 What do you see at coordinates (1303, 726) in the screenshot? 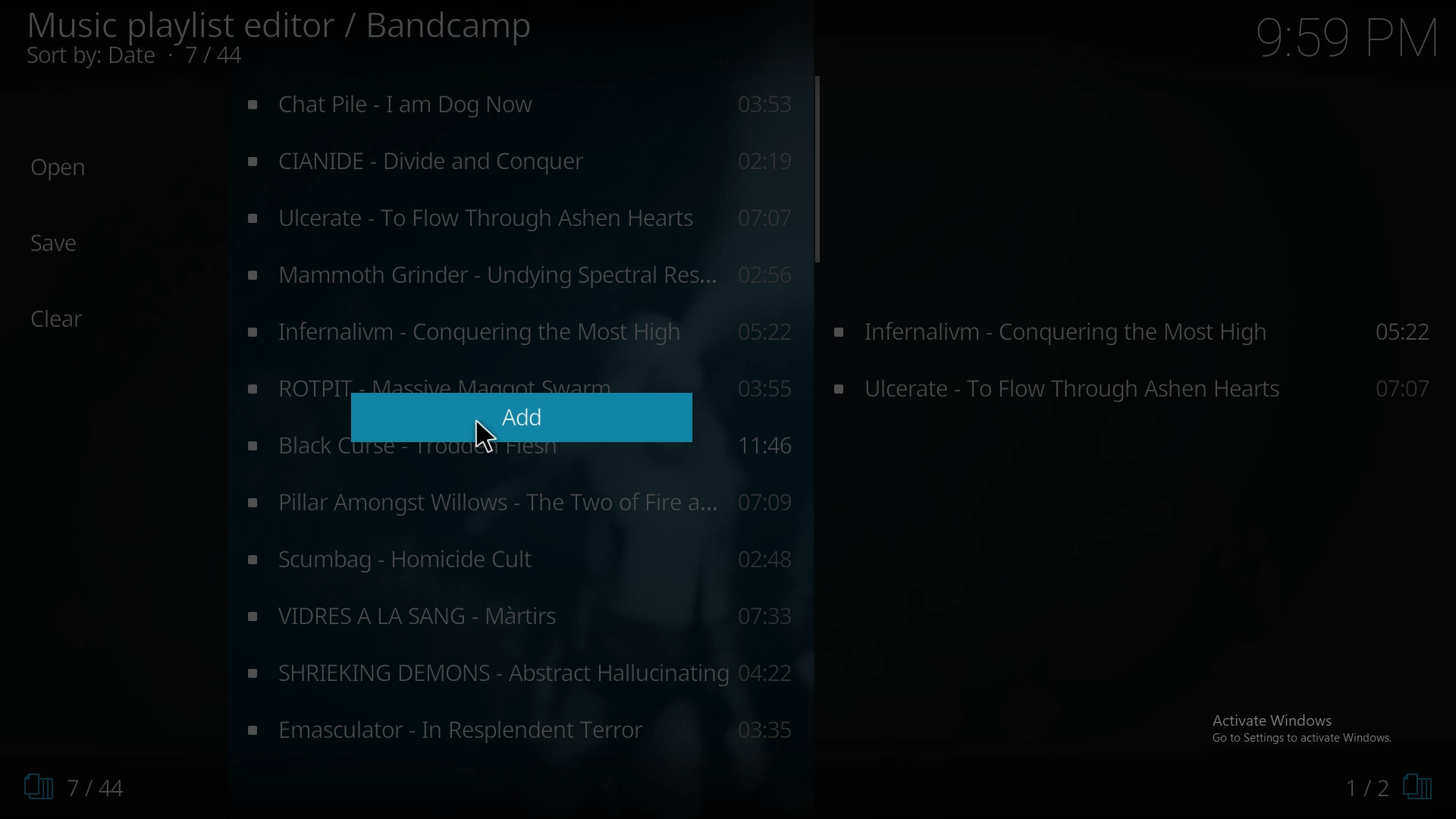
I see `Activate Windows
Go to Settings to activate Windows.` at bounding box center [1303, 726].